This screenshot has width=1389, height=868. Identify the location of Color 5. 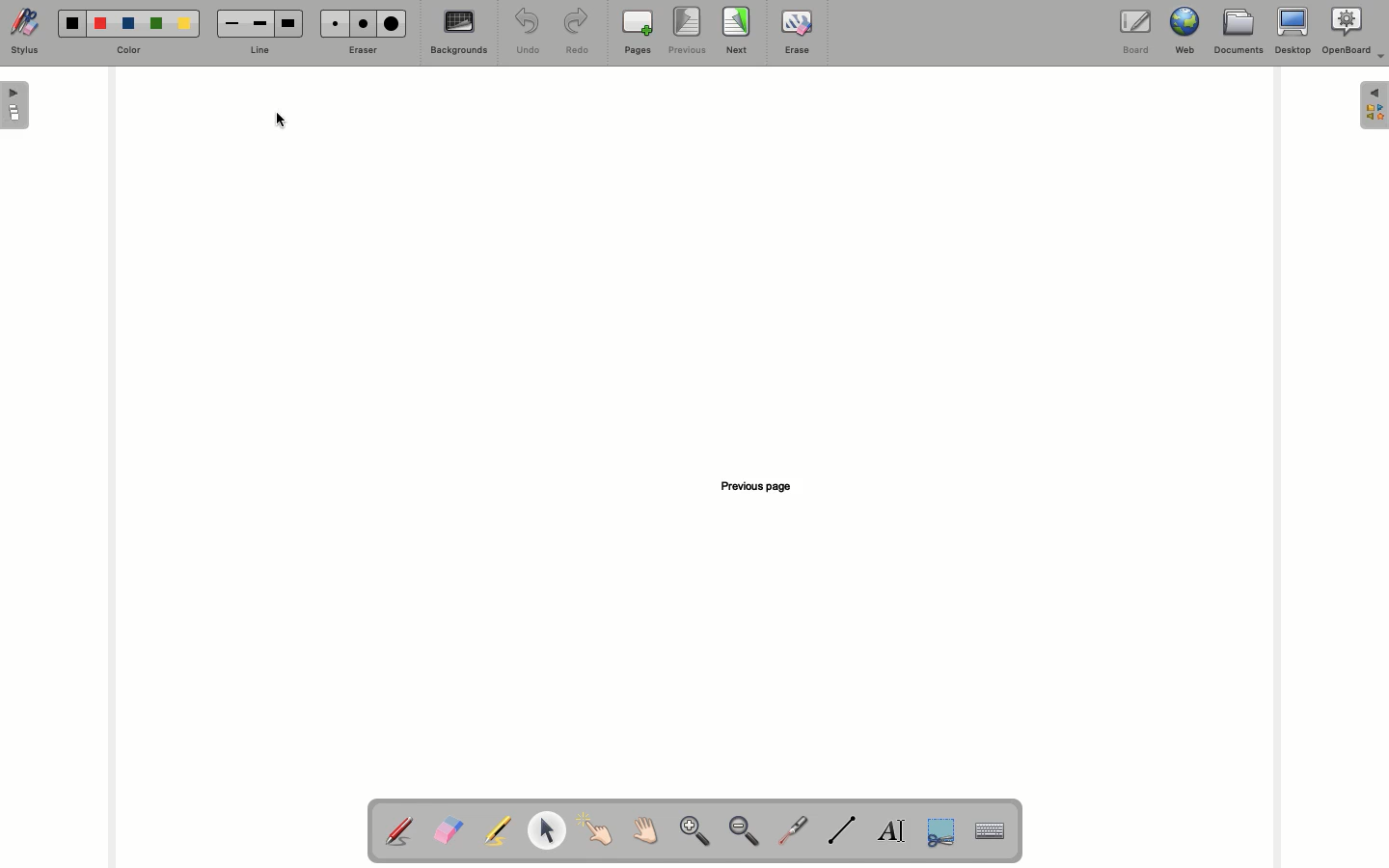
(184, 24).